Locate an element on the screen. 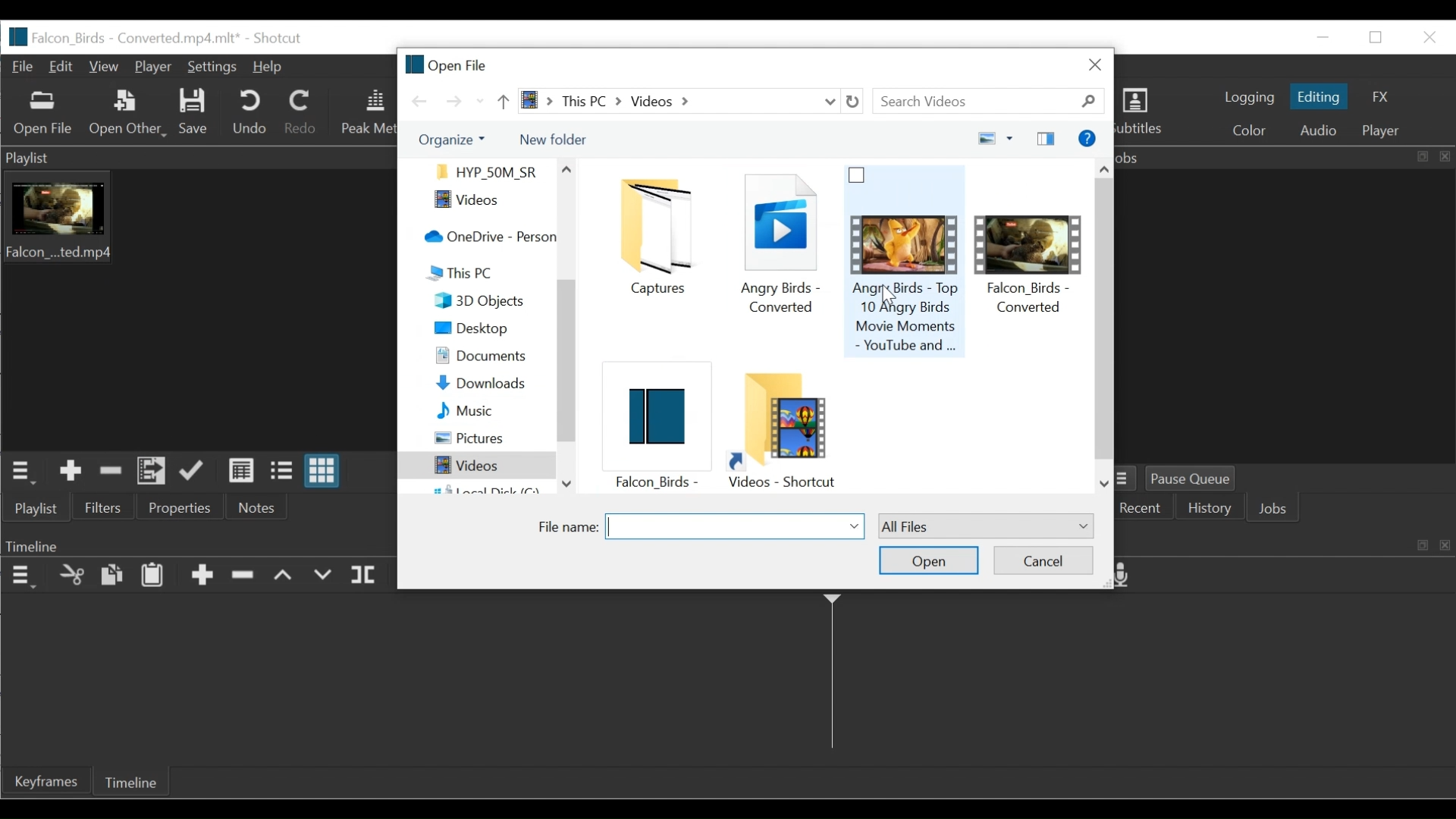 This screenshot has height=819, width=1456. Jobs Menu is located at coordinates (1129, 479).